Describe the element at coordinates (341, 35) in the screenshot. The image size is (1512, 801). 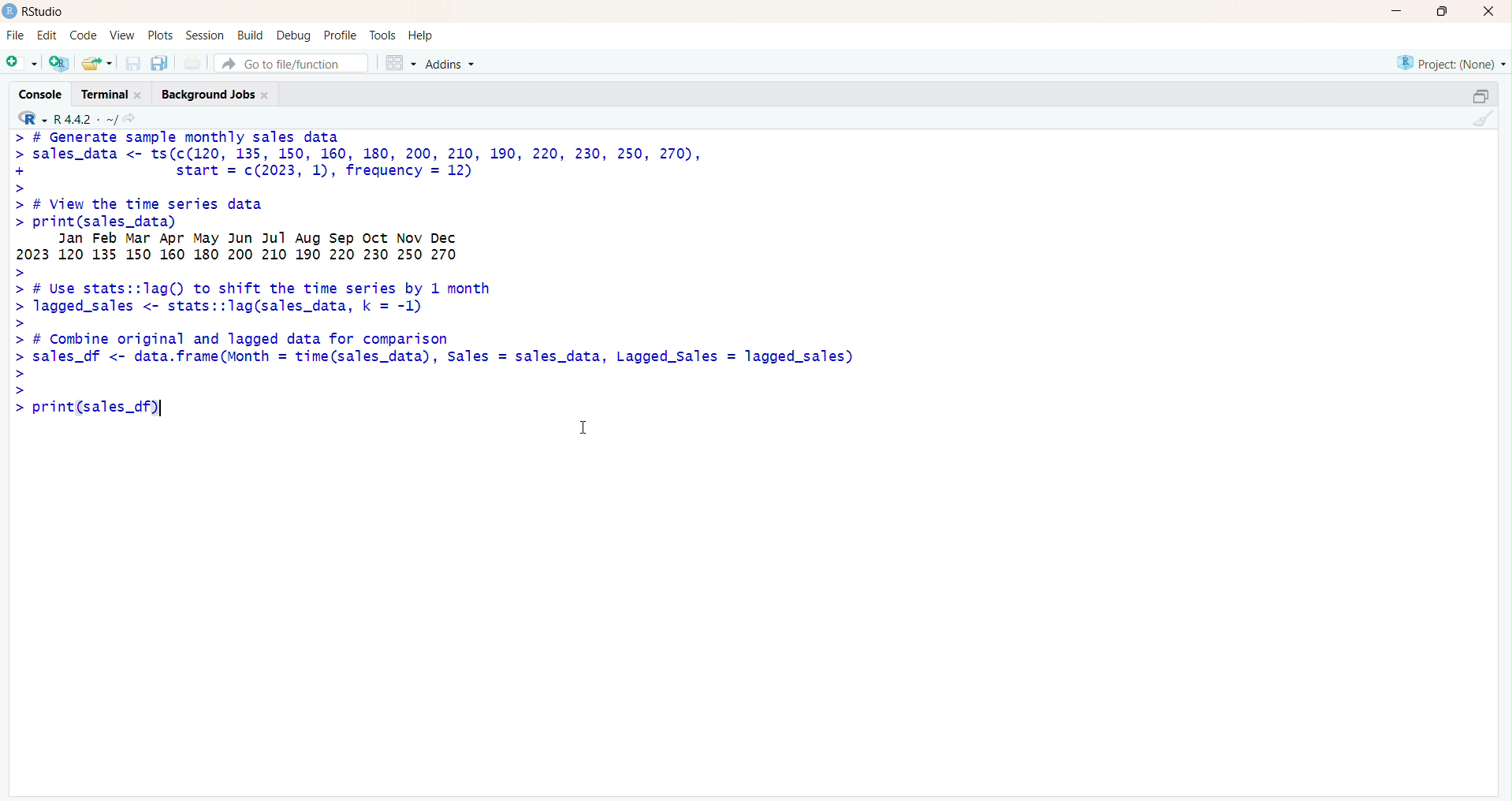
I see `profile` at that location.